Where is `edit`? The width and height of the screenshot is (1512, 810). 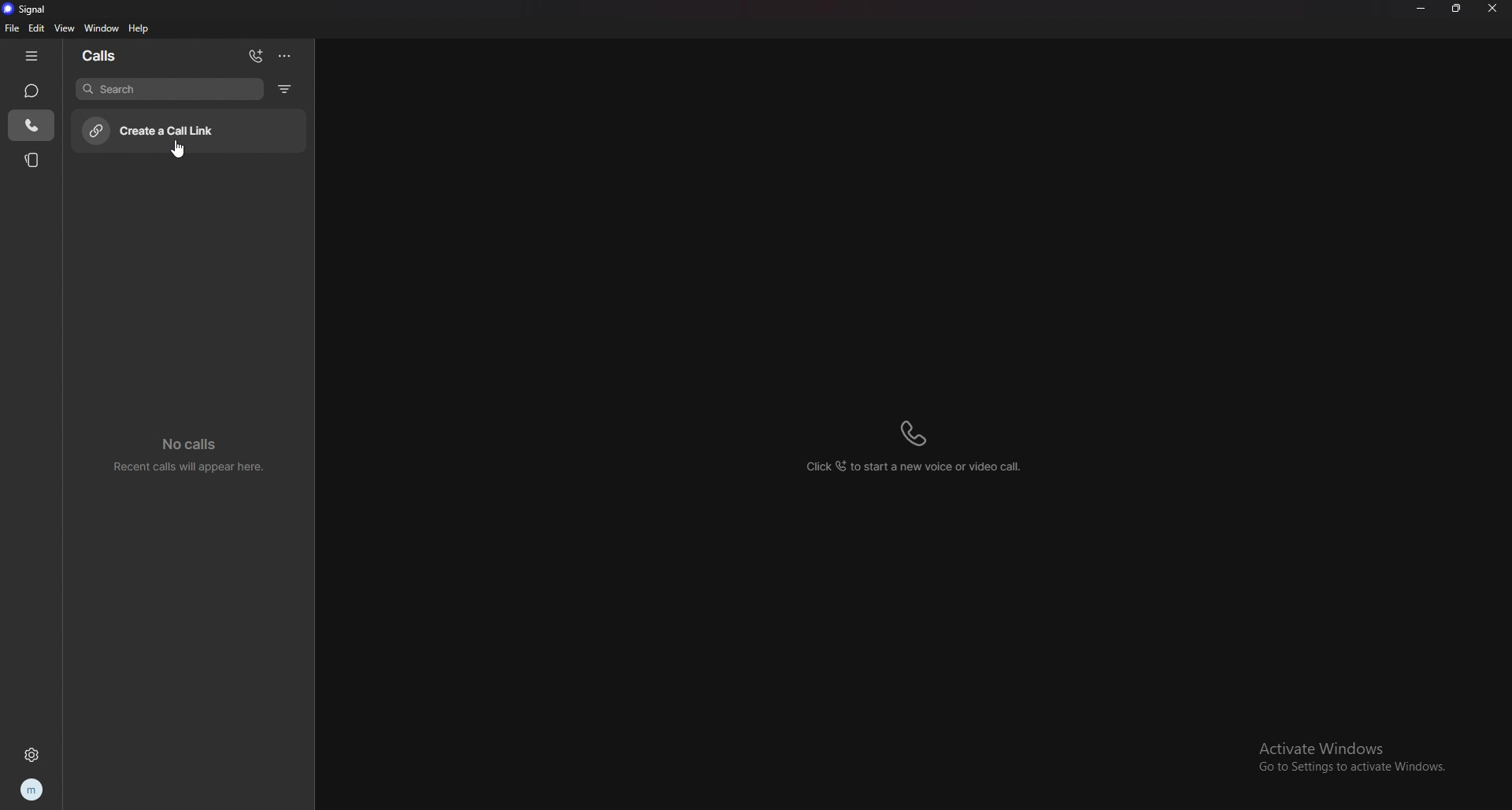 edit is located at coordinates (37, 28).